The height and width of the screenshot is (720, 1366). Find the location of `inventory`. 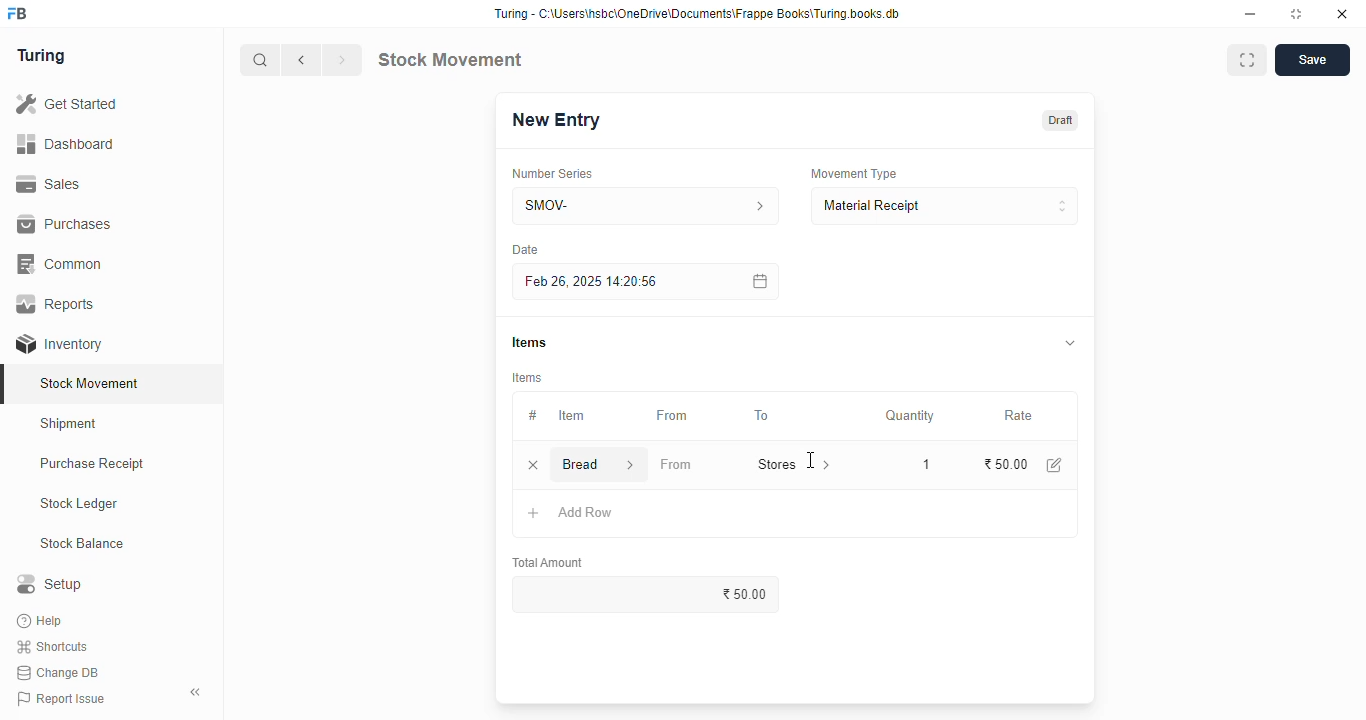

inventory is located at coordinates (59, 344).